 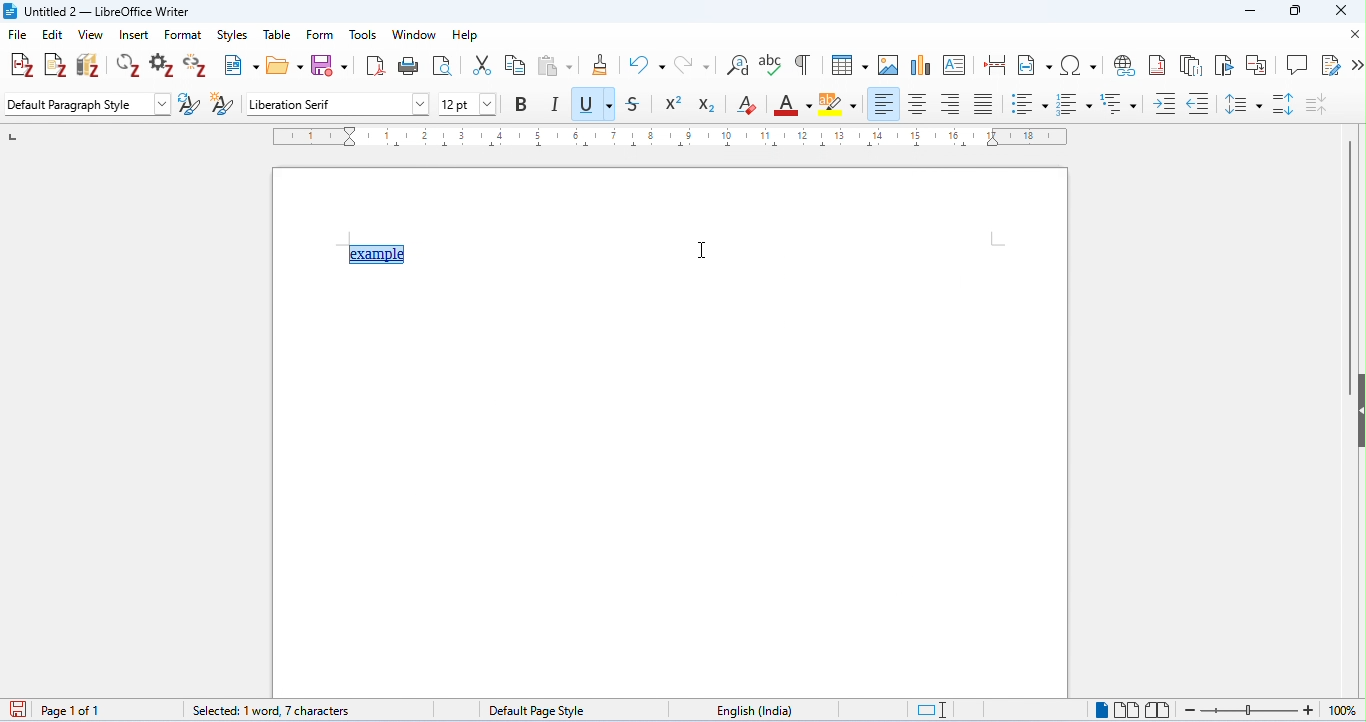 I want to click on align right, so click(x=952, y=103).